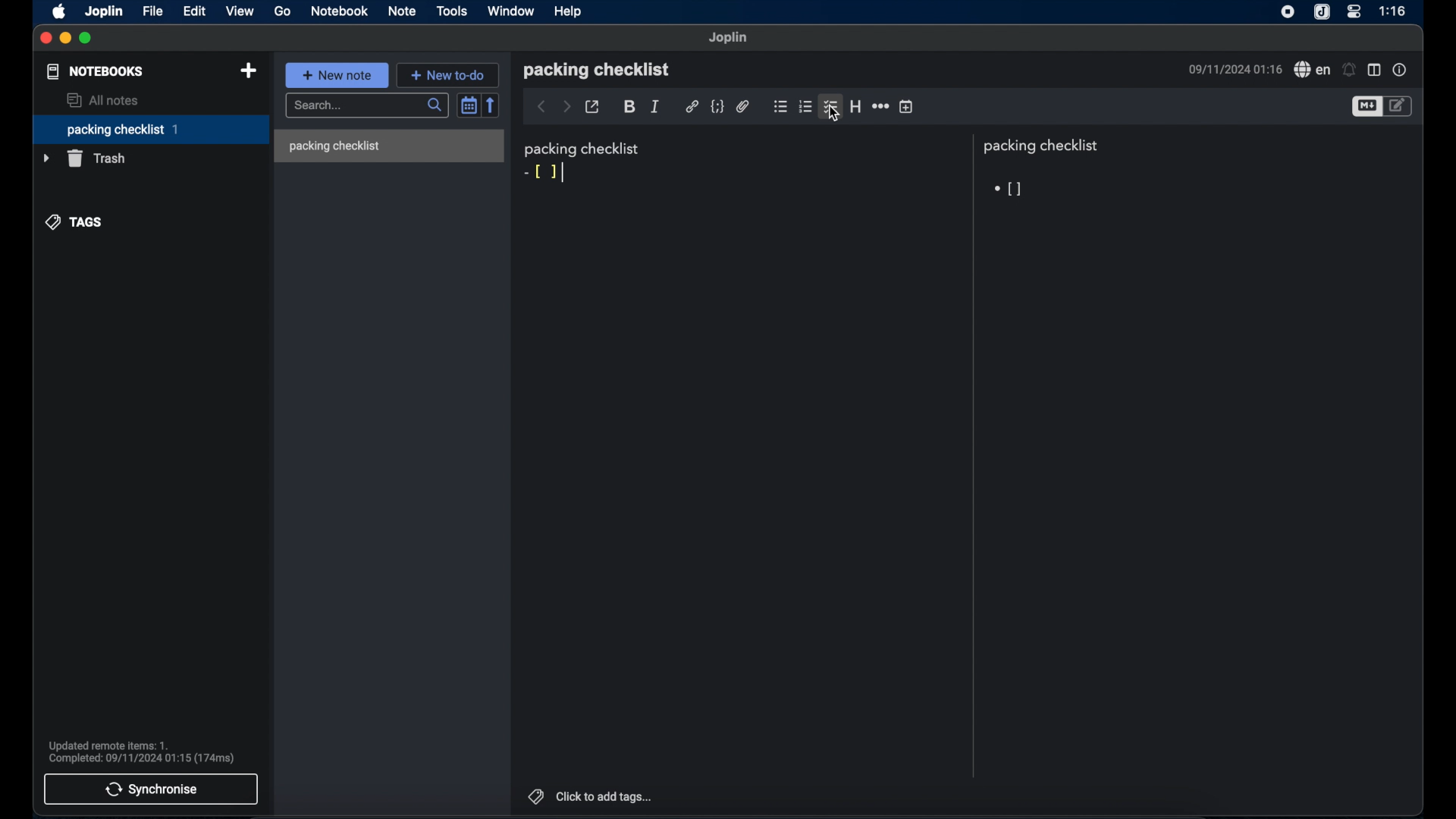 Image resolution: width=1456 pixels, height=819 pixels. Describe the element at coordinates (541, 107) in the screenshot. I see `back` at that location.